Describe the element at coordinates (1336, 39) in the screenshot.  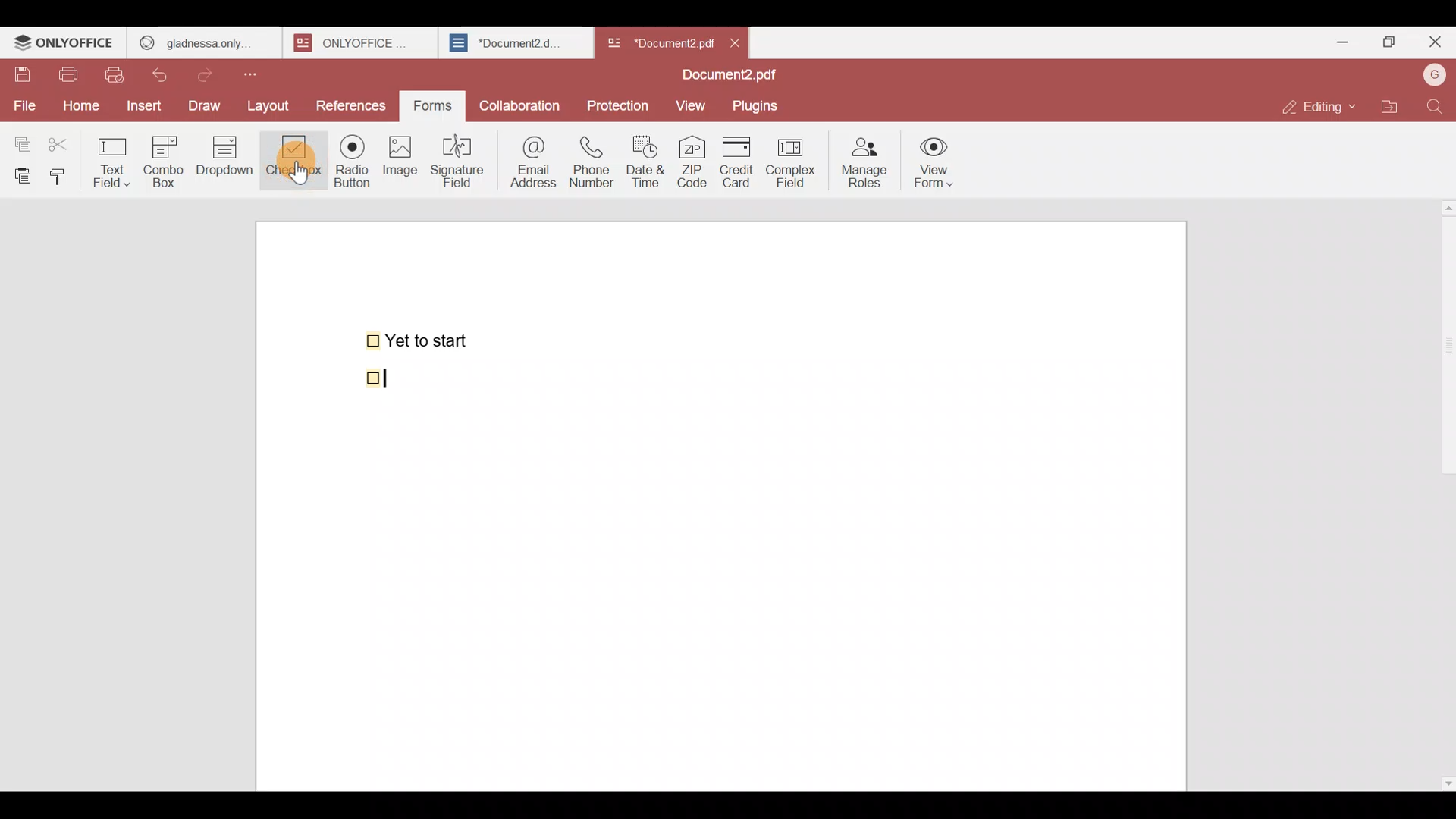
I see `Minimize` at that location.